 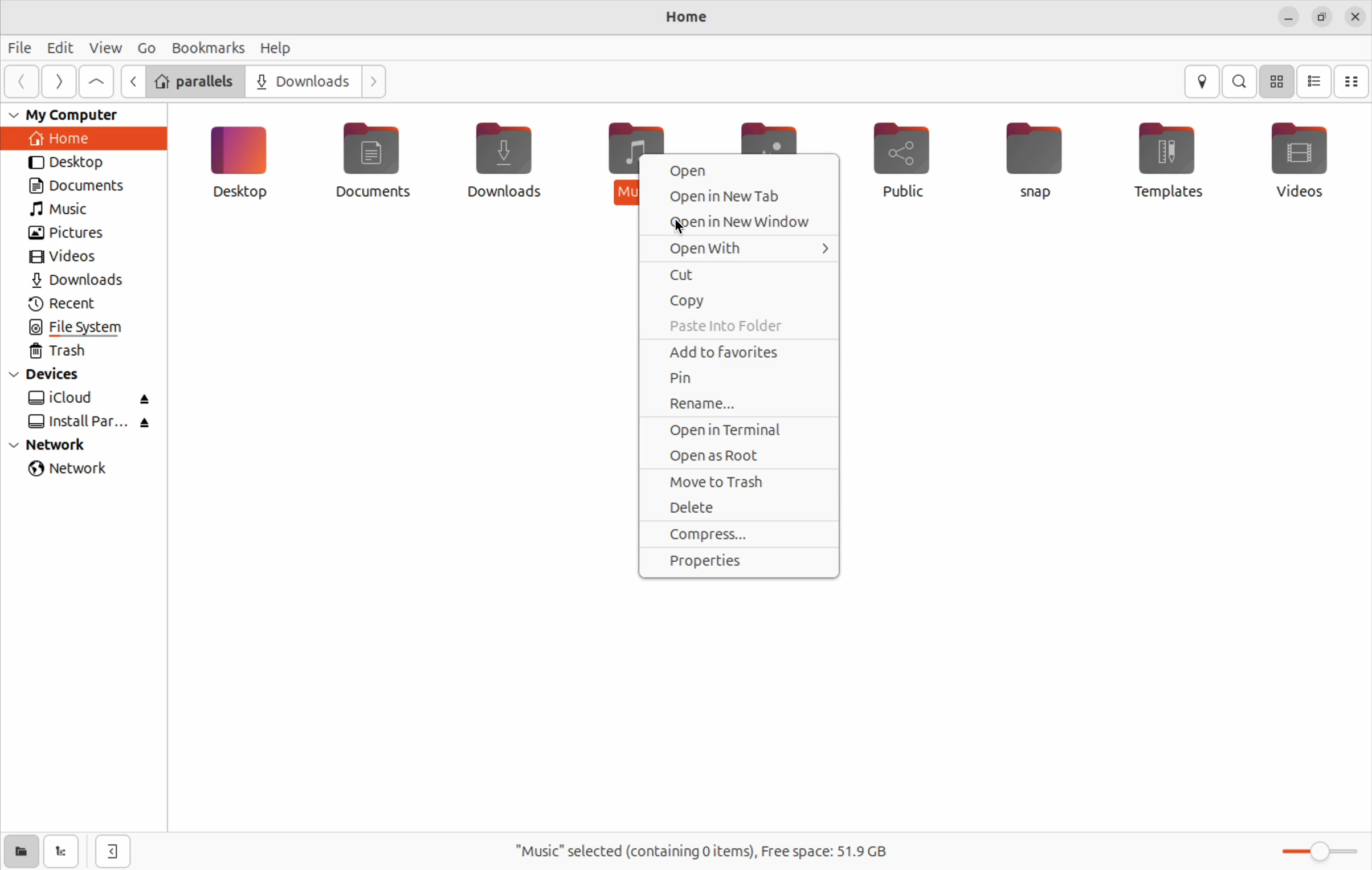 I want to click on videos, so click(x=69, y=259).